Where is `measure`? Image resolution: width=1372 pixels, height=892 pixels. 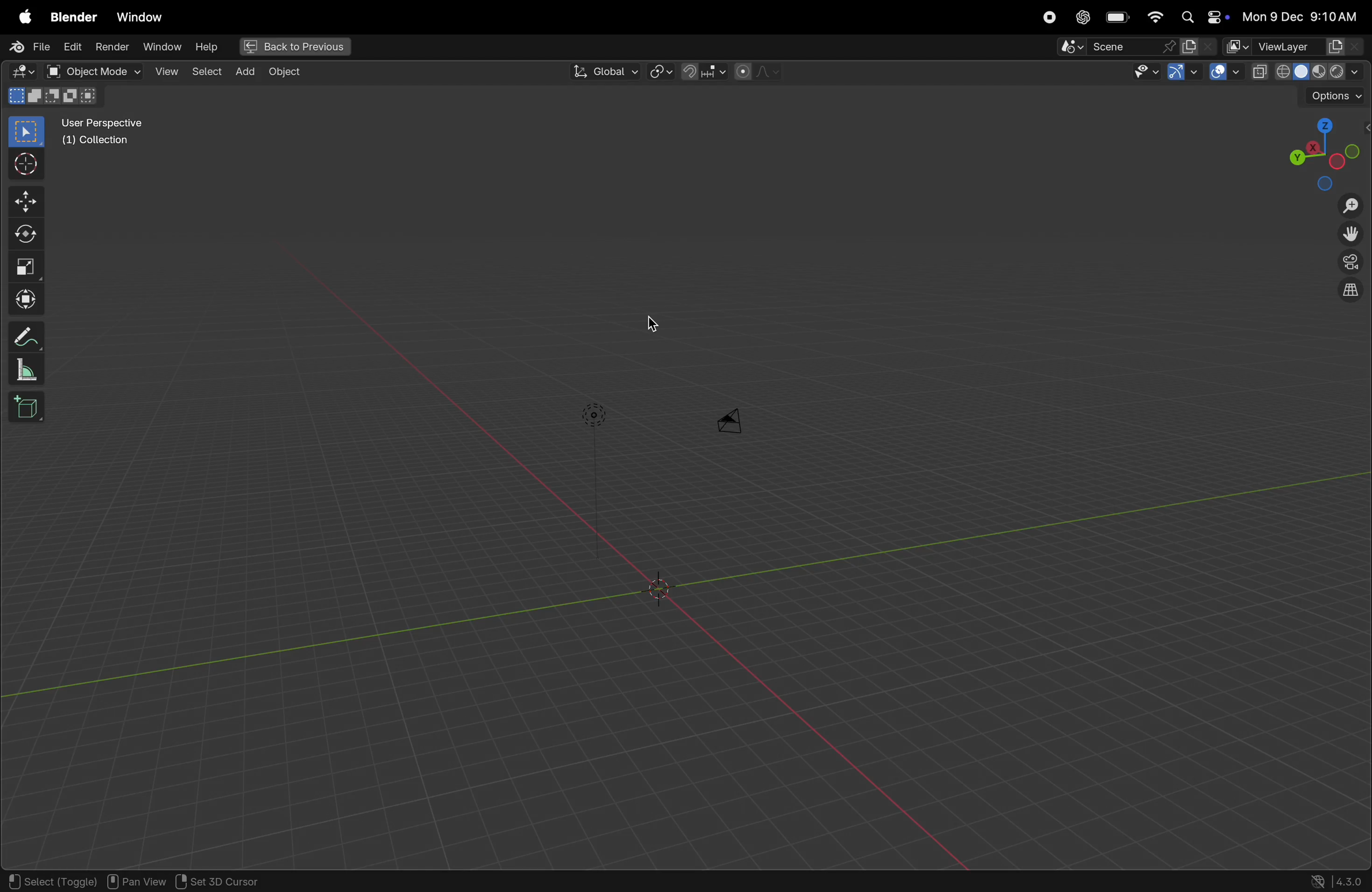
measure is located at coordinates (26, 371).